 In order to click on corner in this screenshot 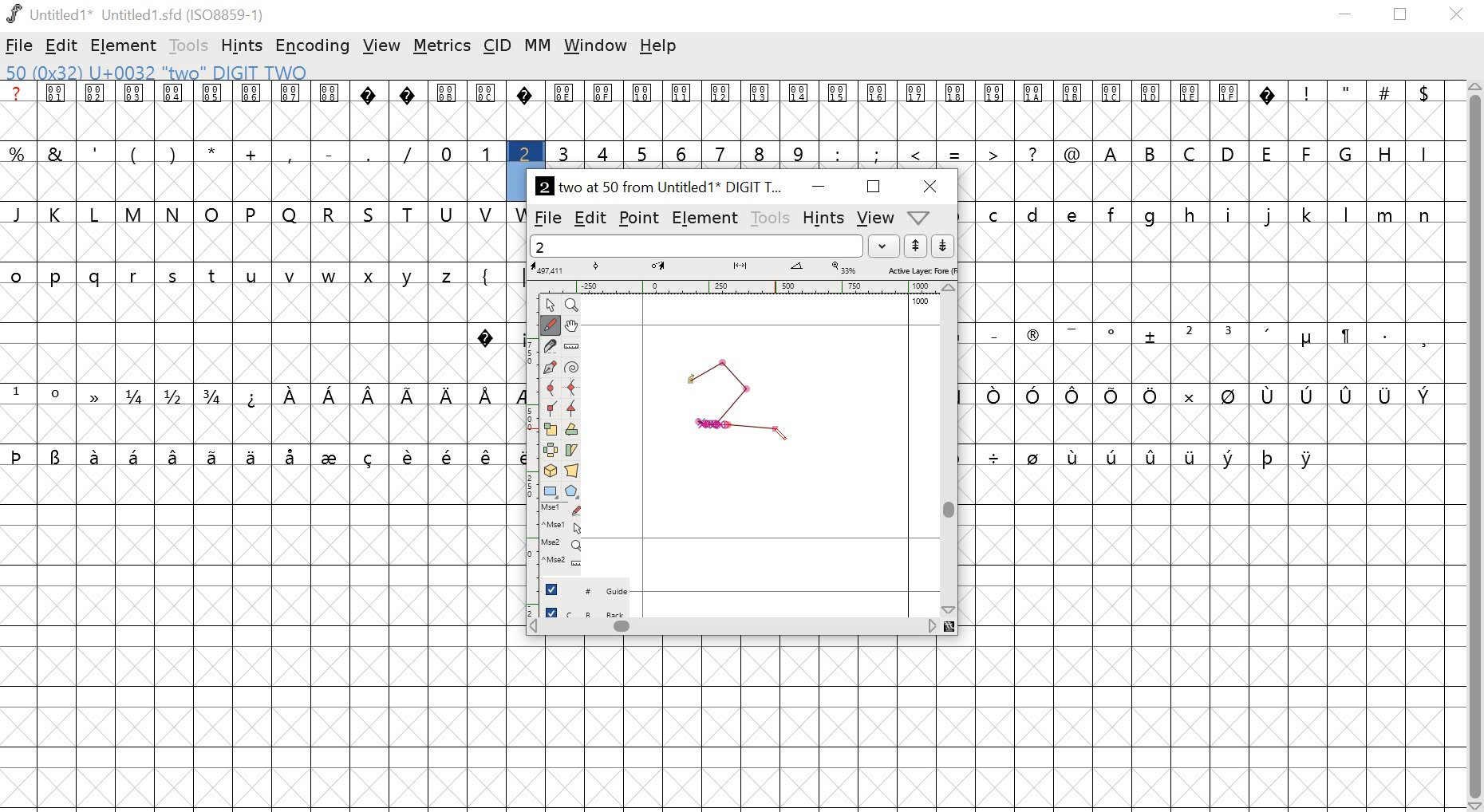, I will do `click(552, 409)`.